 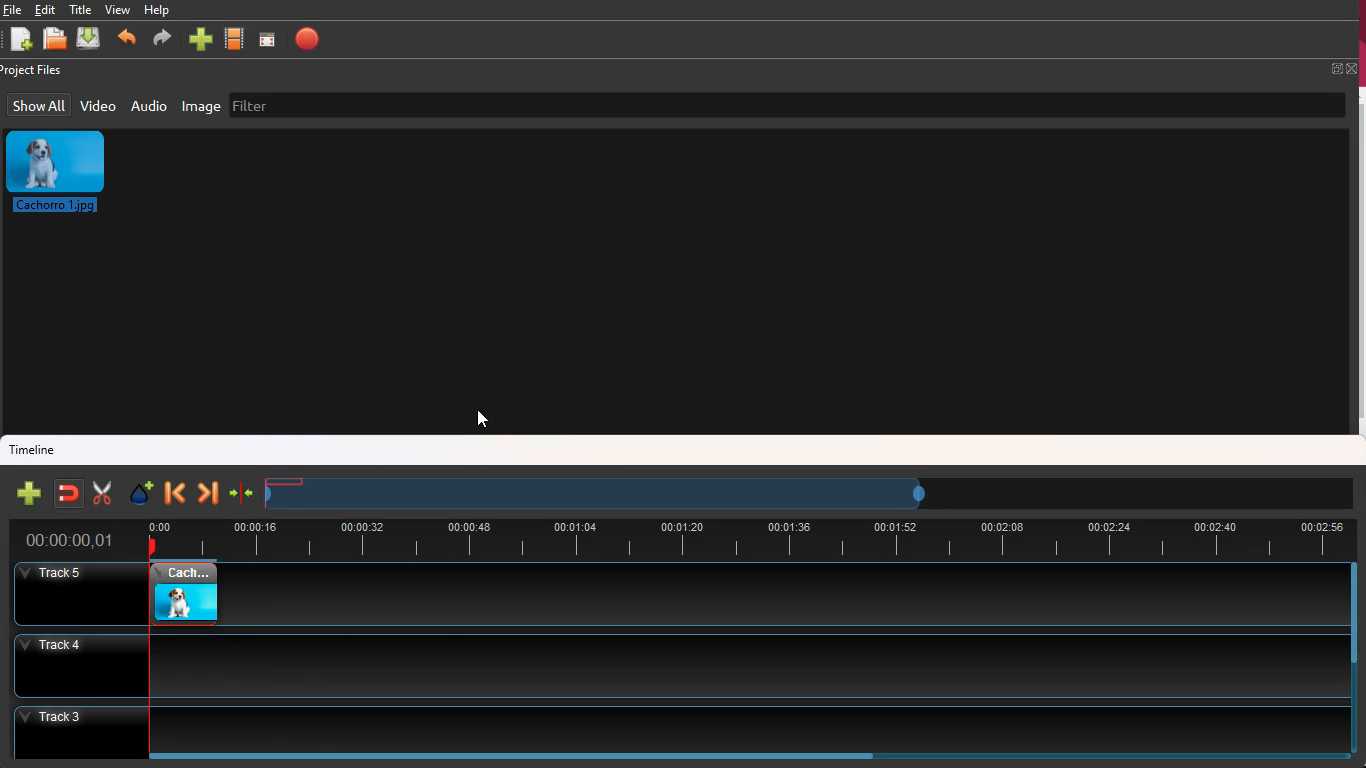 What do you see at coordinates (201, 107) in the screenshot?
I see `image` at bounding box center [201, 107].